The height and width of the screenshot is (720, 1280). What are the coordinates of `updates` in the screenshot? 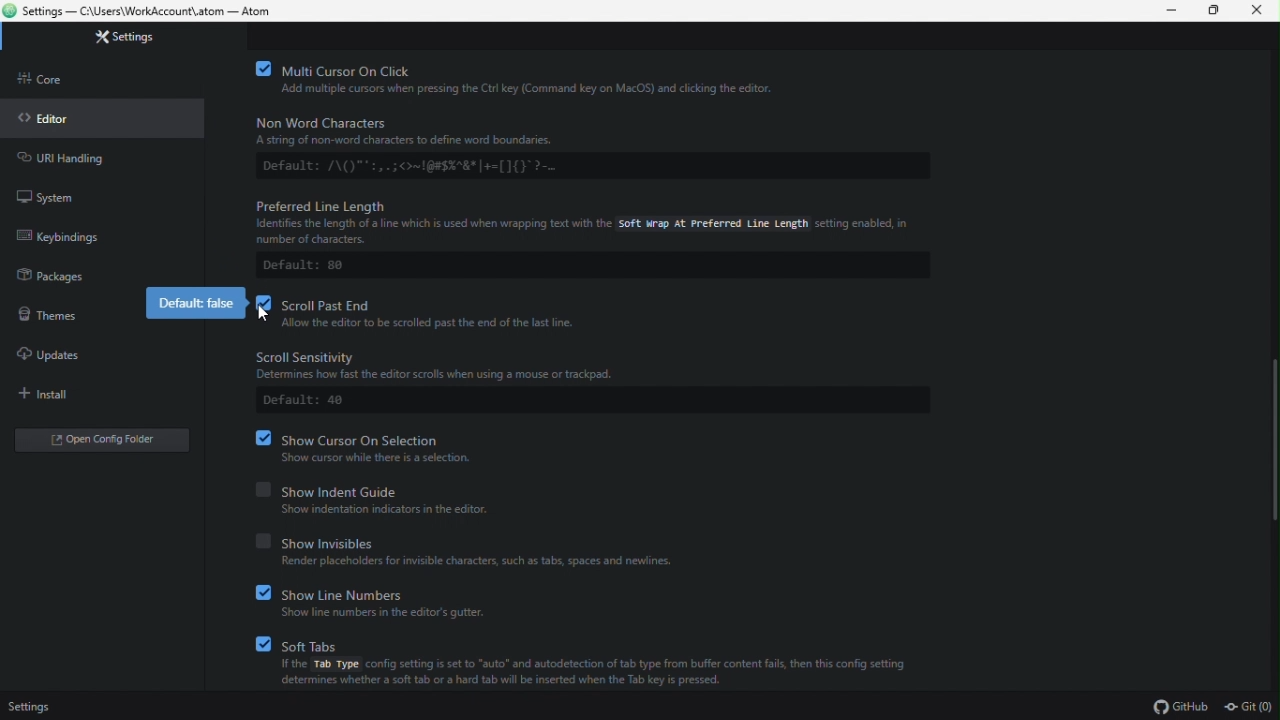 It's located at (59, 356).